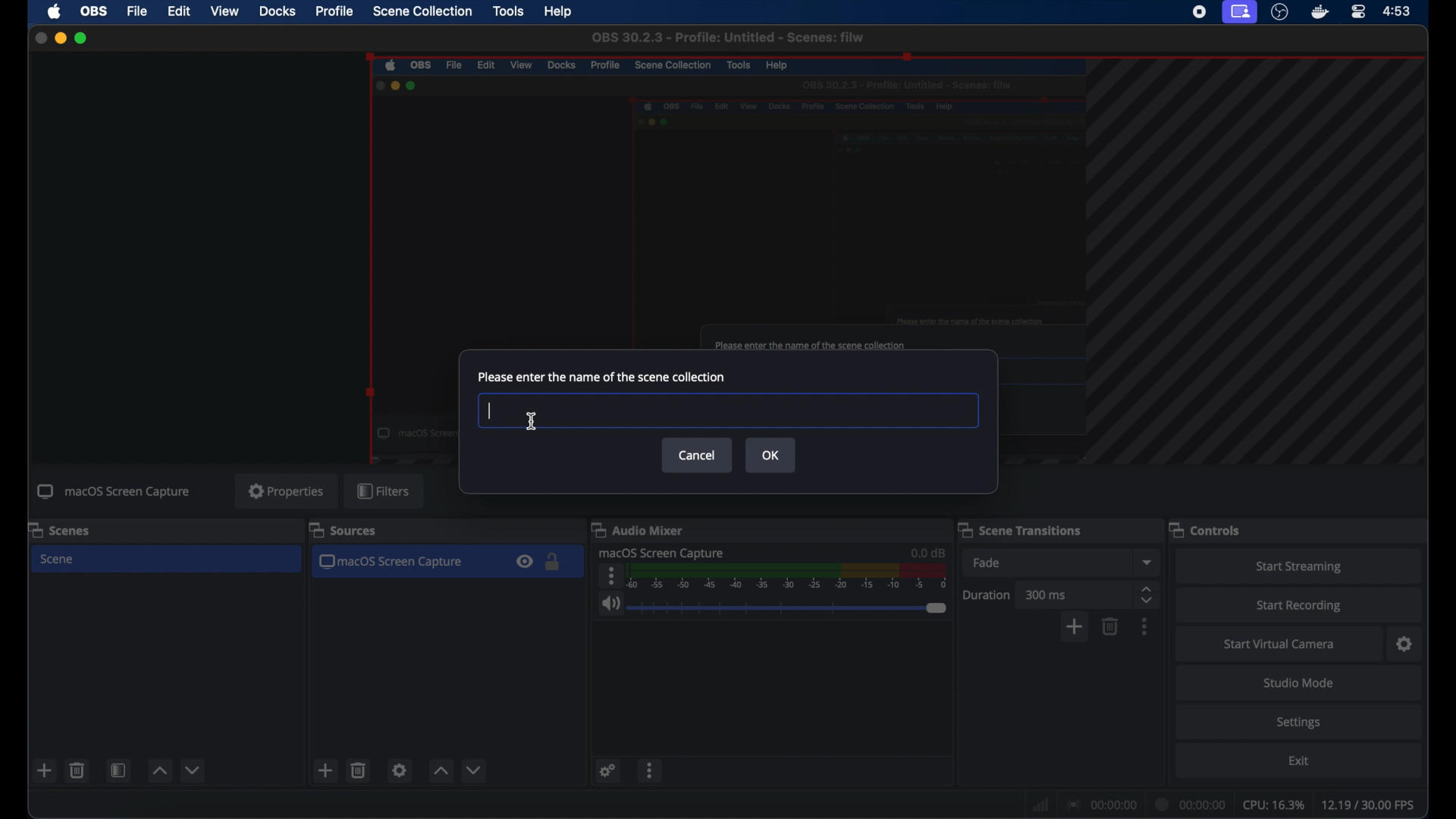 The height and width of the screenshot is (819, 1456). What do you see at coordinates (441, 771) in the screenshot?
I see `increment` at bounding box center [441, 771].